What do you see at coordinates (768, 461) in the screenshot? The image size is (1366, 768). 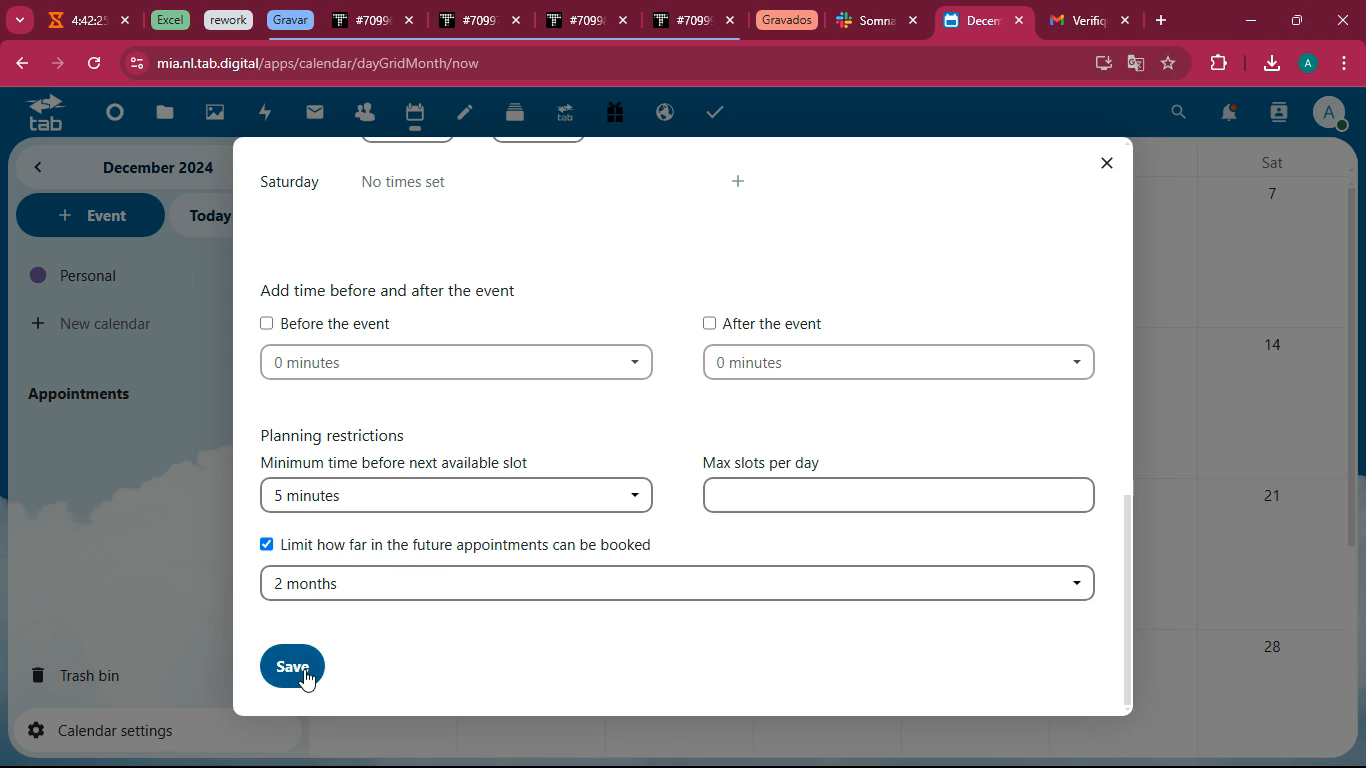 I see `max slots per day` at bounding box center [768, 461].